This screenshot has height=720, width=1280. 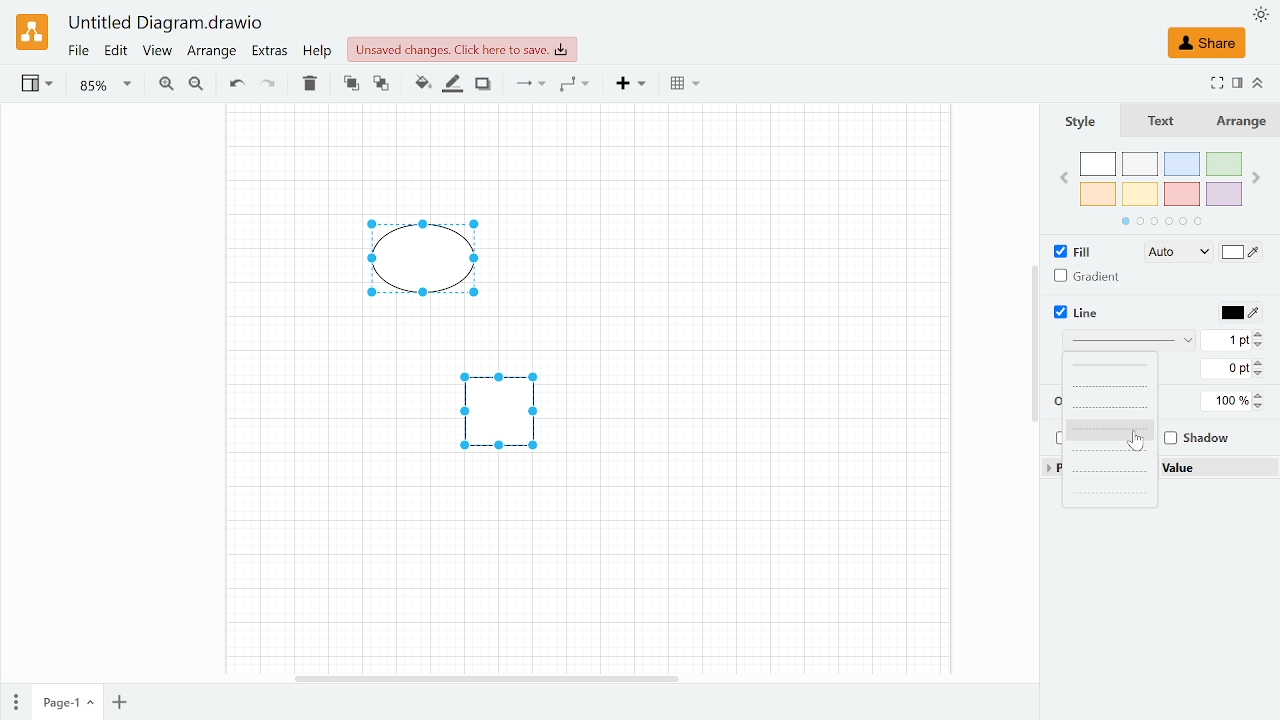 What do you see at coordinates (1226, 401) in the screenshot?
I see `Opacity` at bounding box center [1226, 401].